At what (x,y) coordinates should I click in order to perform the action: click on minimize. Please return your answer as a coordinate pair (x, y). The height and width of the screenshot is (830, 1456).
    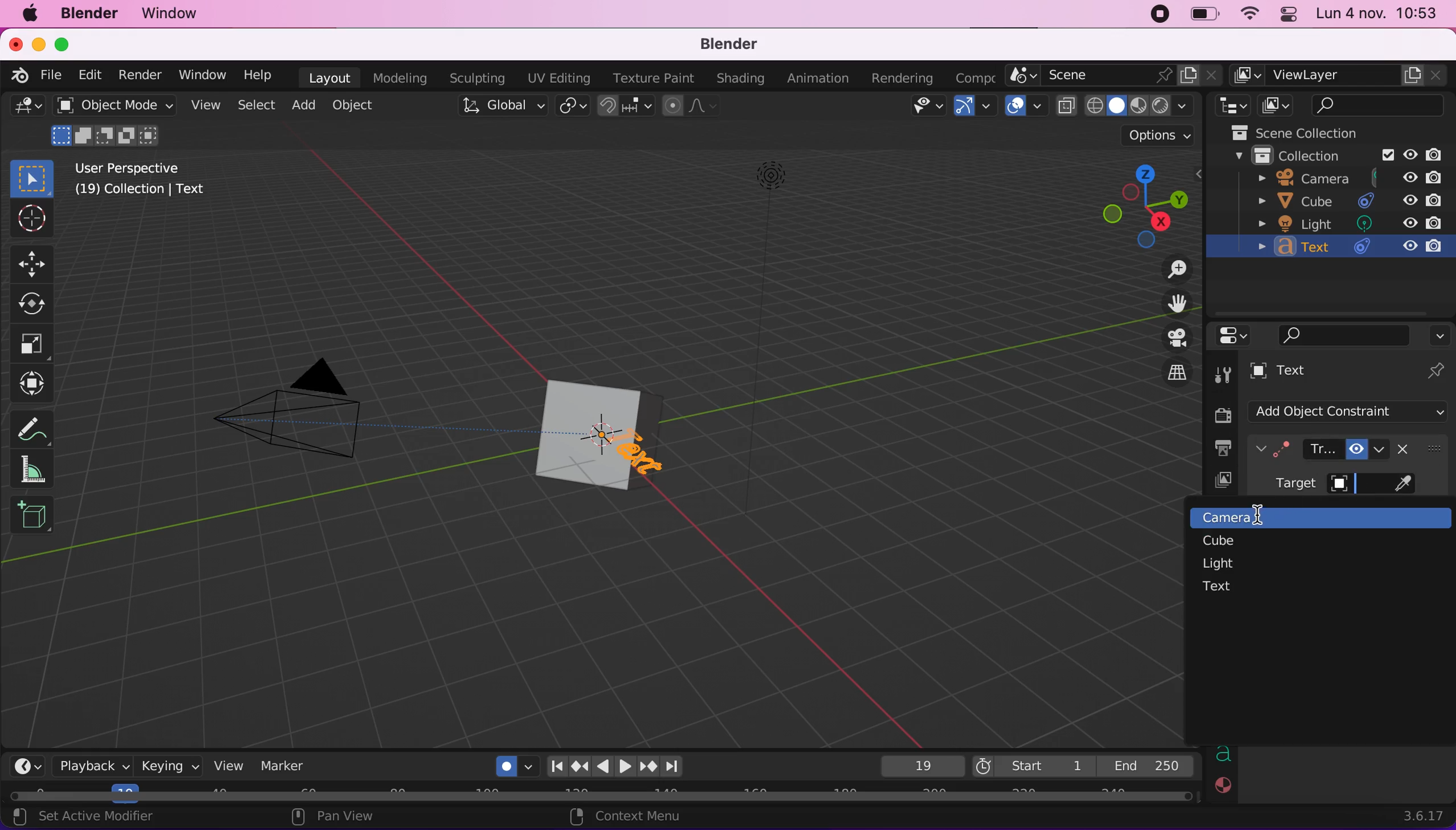
    Looking at the image, I should click on (38, 45).